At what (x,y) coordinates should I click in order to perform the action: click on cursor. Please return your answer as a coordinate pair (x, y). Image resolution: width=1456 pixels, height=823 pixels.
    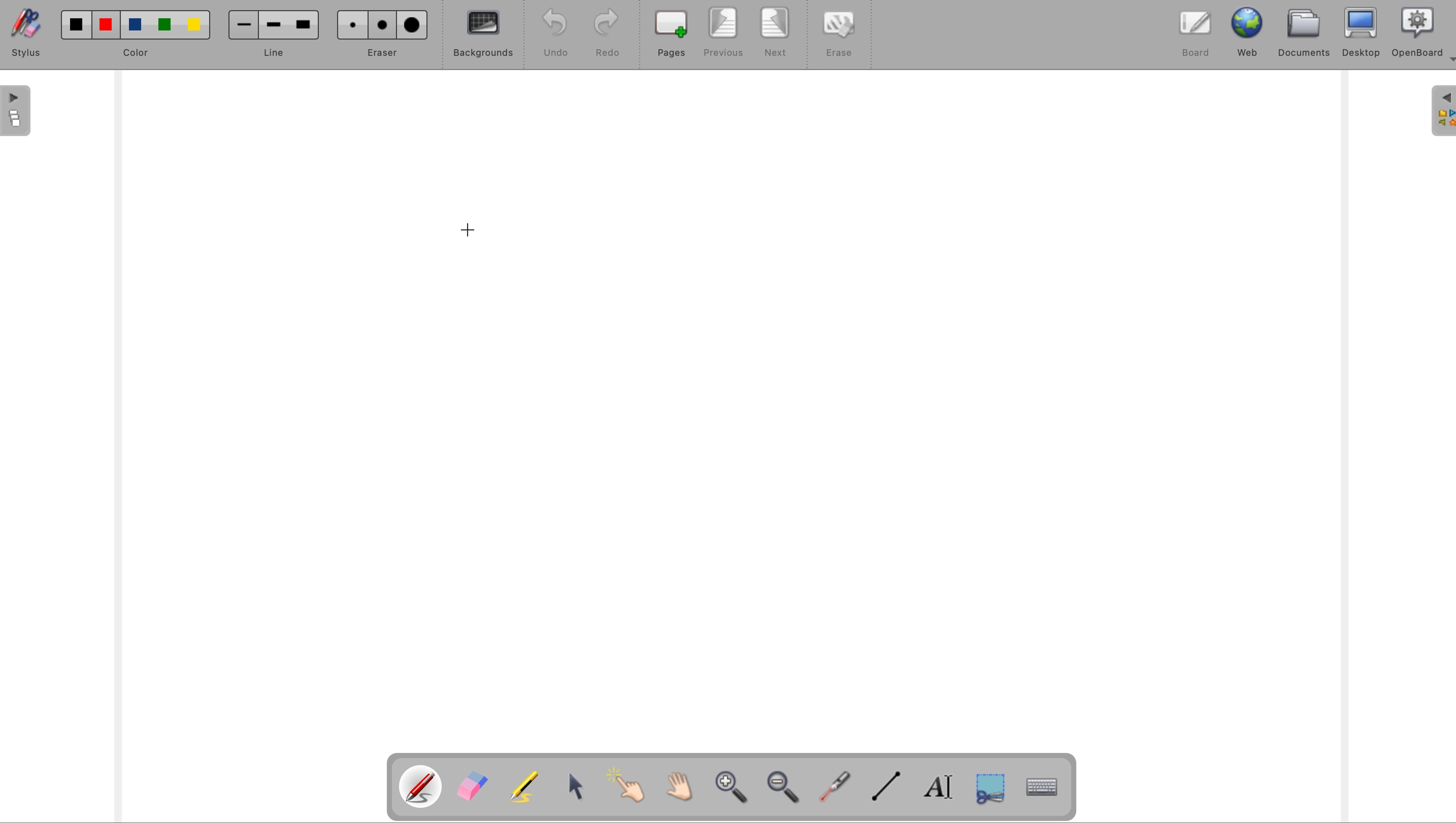
    Looking at the image, I should click on (470, 232).